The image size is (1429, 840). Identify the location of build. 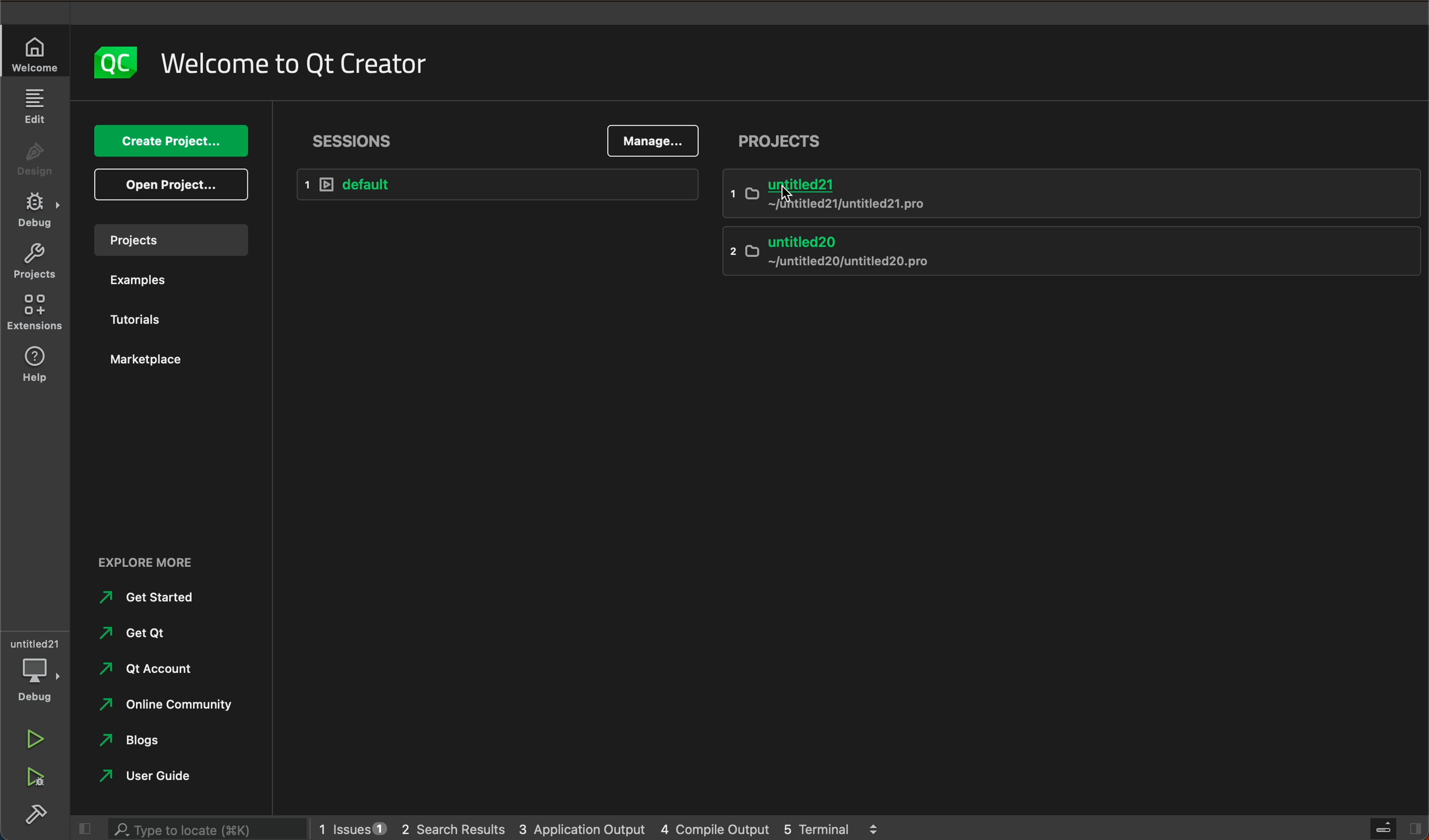
(32, 820).